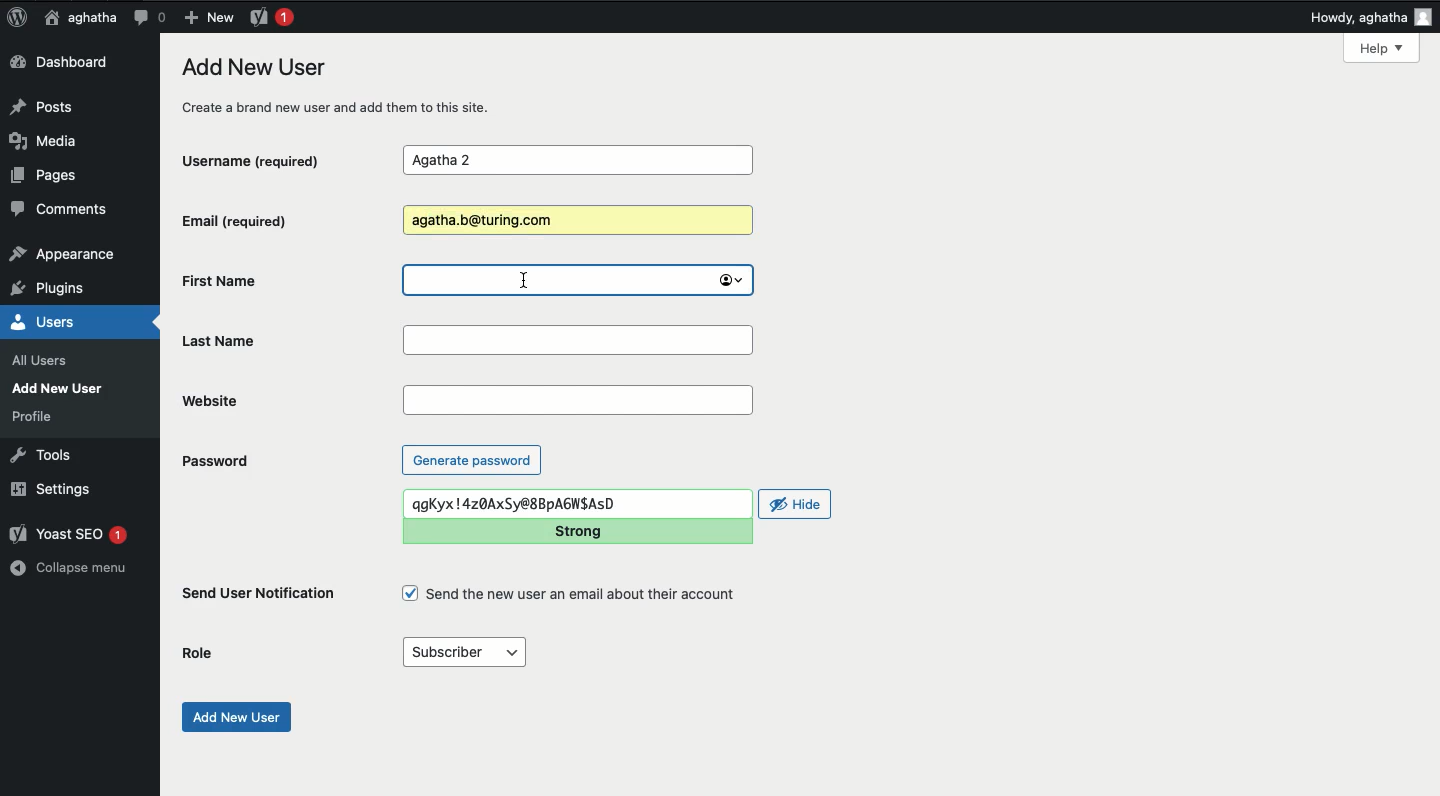  I want to click on Dashboard, so click(65, 63).